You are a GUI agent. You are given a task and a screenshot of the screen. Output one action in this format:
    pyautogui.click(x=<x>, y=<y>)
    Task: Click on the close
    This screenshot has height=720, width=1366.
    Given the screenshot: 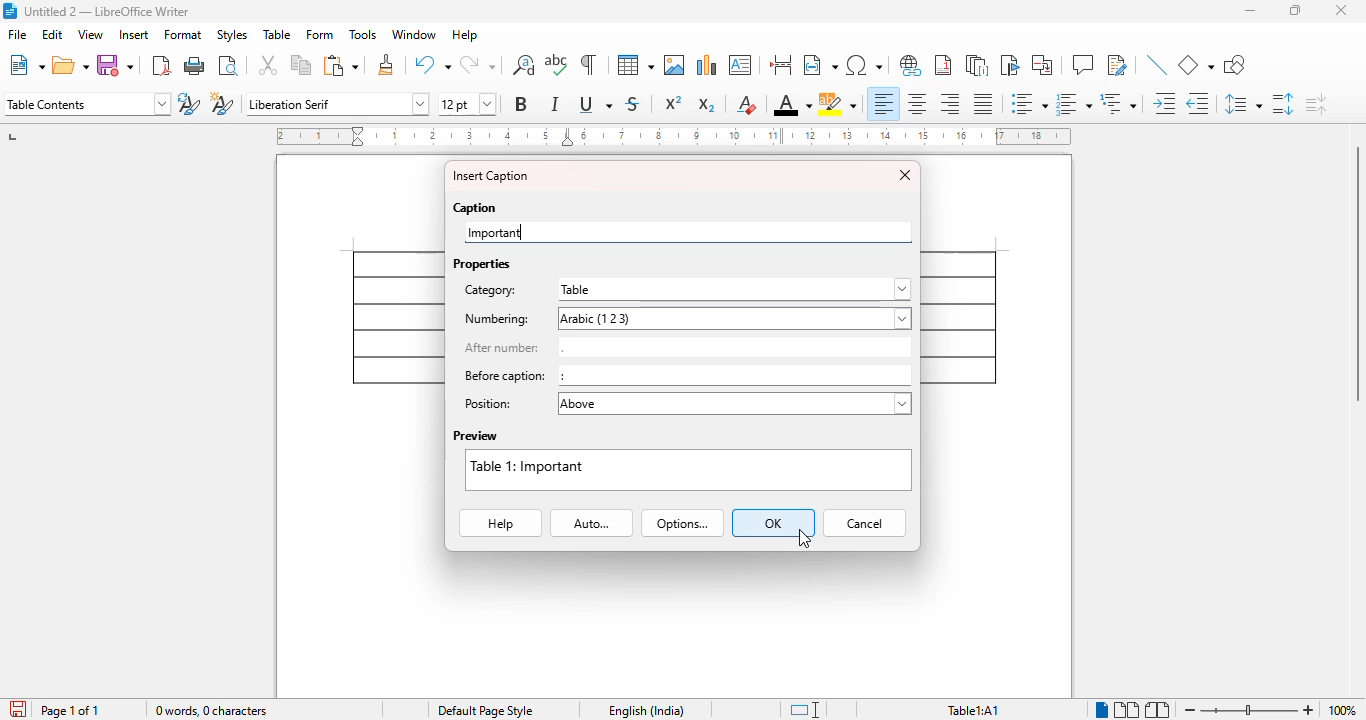 What is the action you would take?
    pyautogui.click(x=906, y=175)
    